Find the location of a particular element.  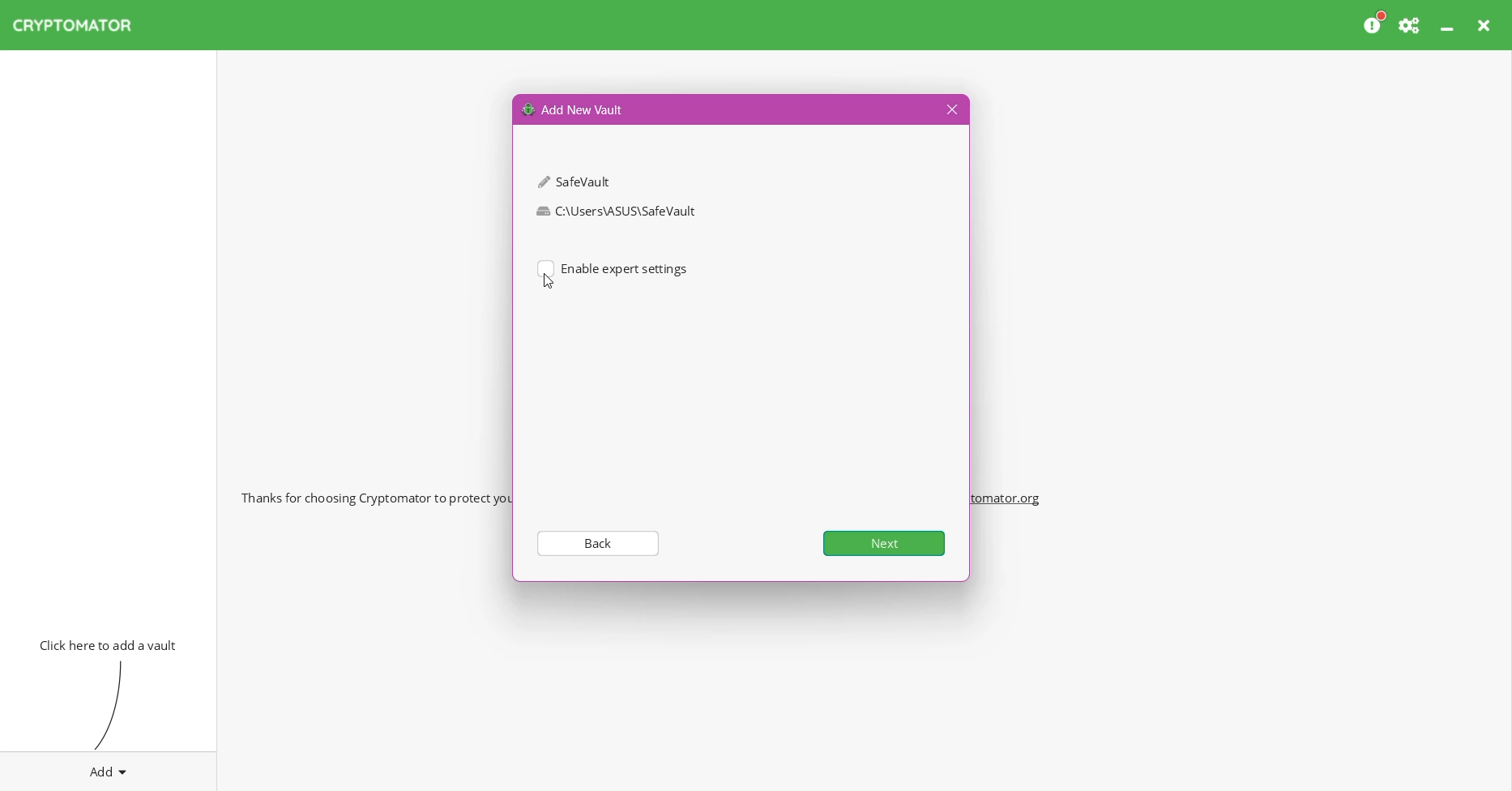

Close is located at coordinates (1486, 25).